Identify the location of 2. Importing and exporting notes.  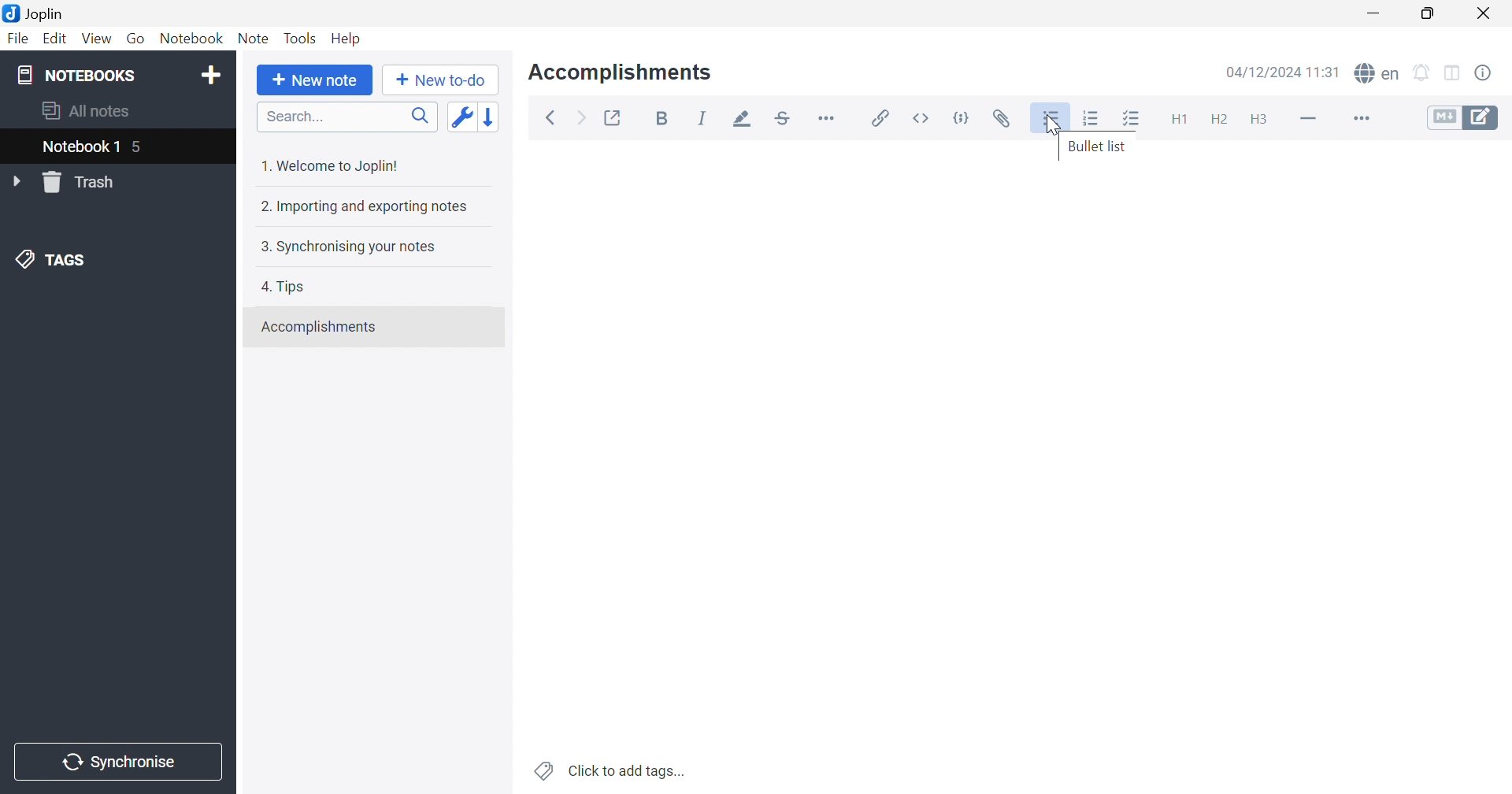
(365, 208).